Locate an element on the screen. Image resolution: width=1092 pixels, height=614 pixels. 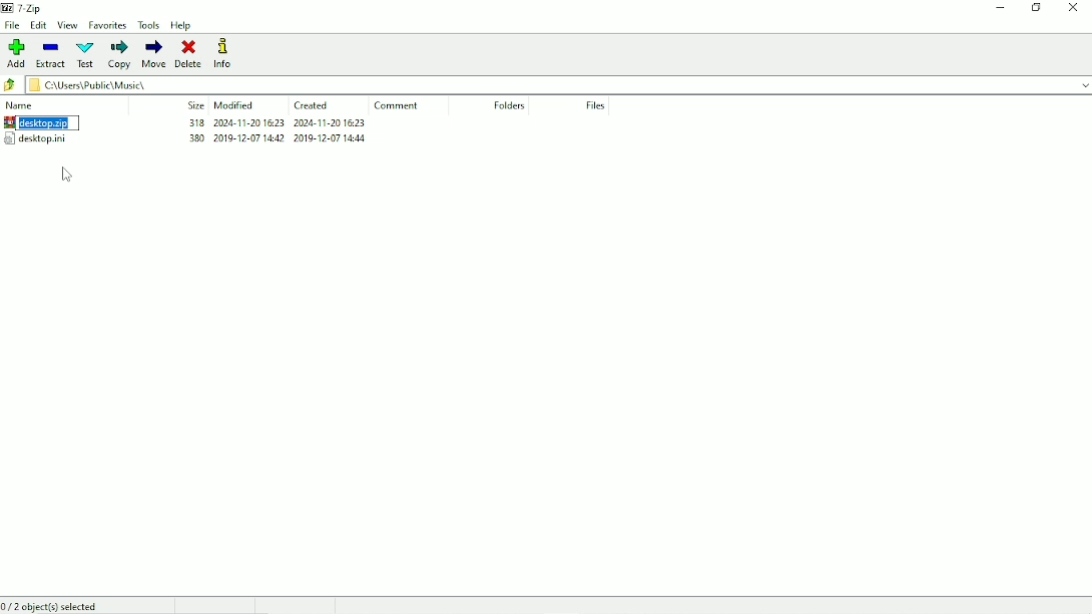
Favorites is located at coordinates (109, 25).